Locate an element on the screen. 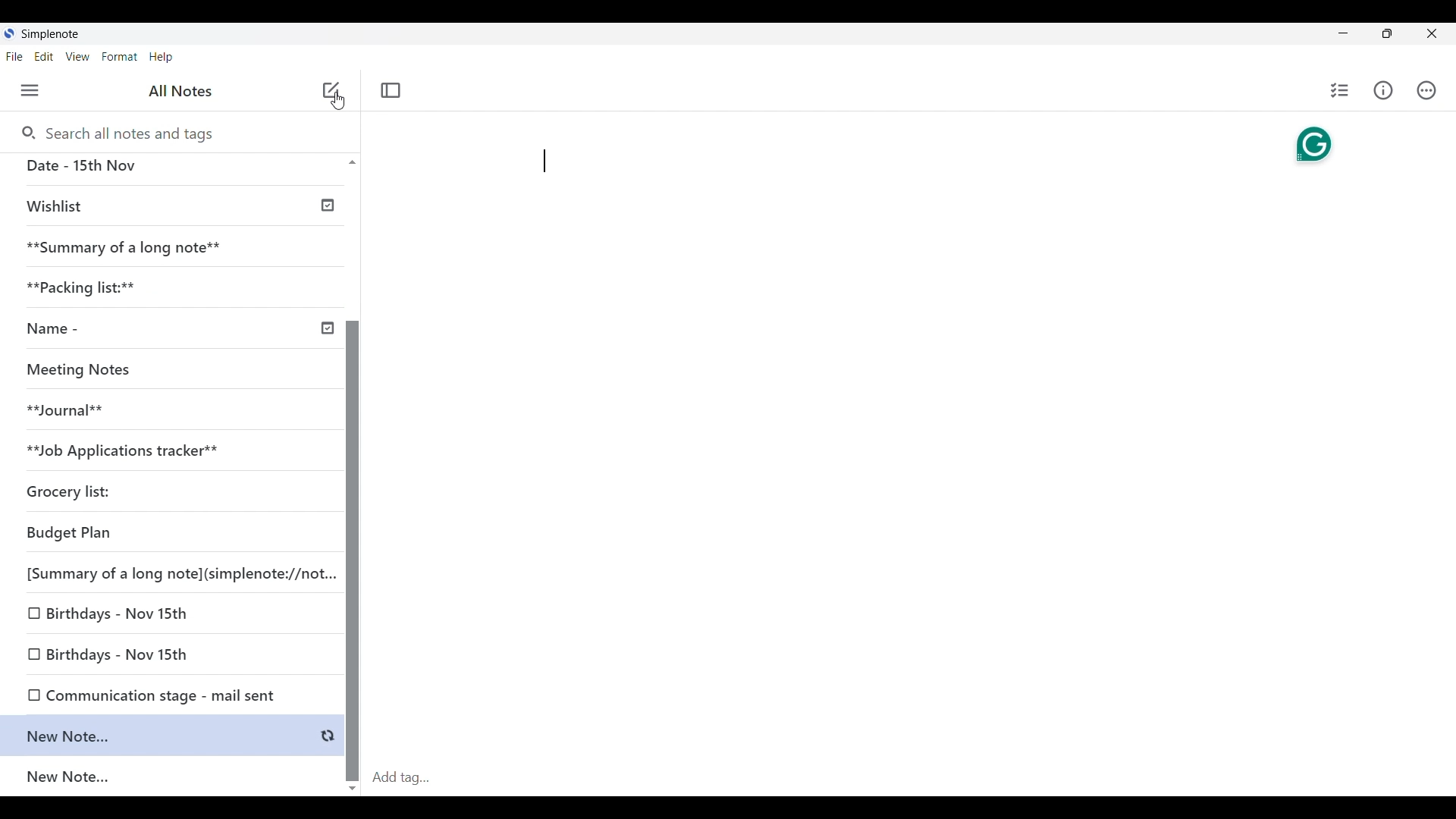 This screenshot has height=819, width=1456. Add tag... is located at coordinates (410, 777).